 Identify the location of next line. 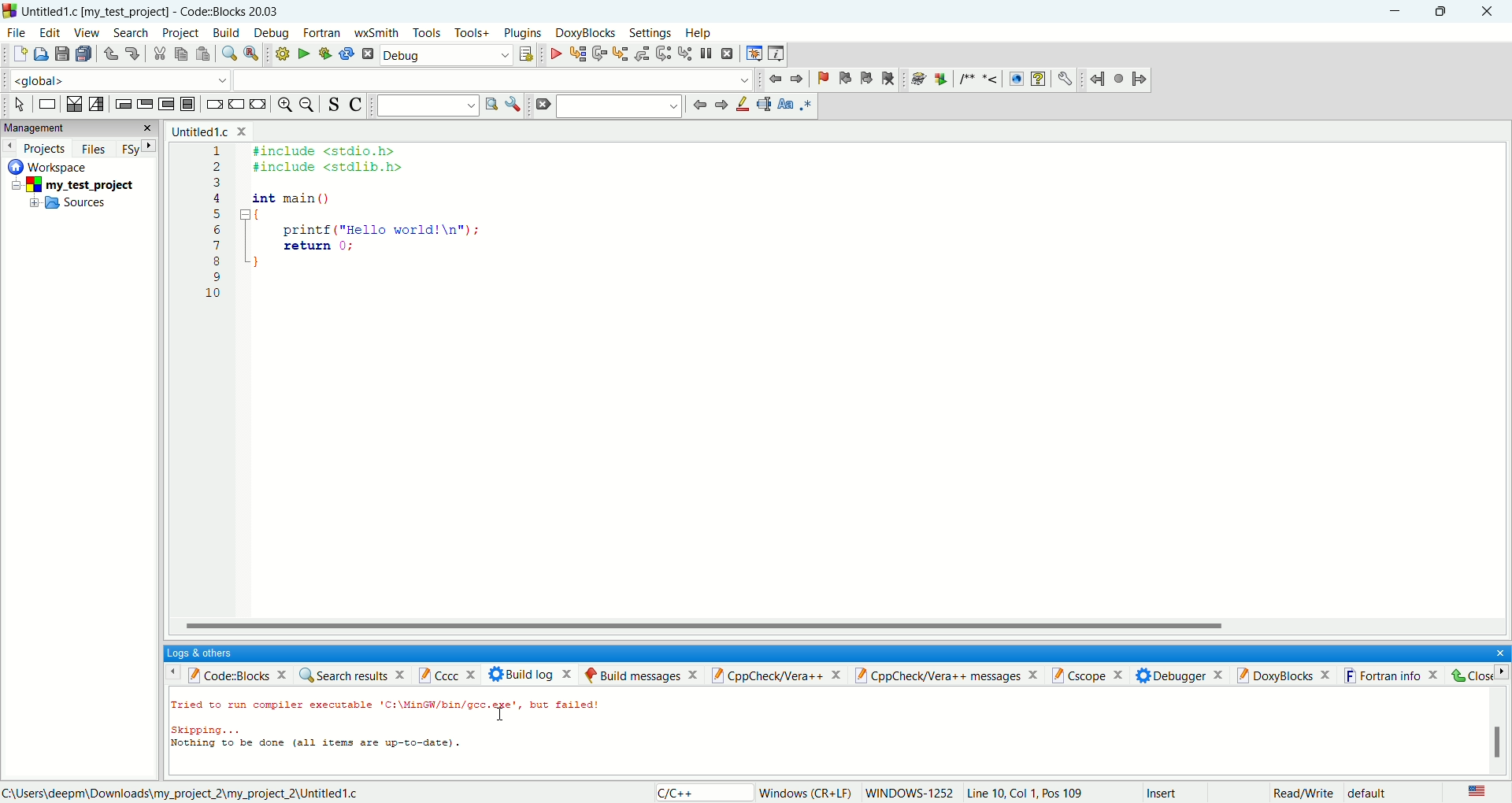
(600, 54).